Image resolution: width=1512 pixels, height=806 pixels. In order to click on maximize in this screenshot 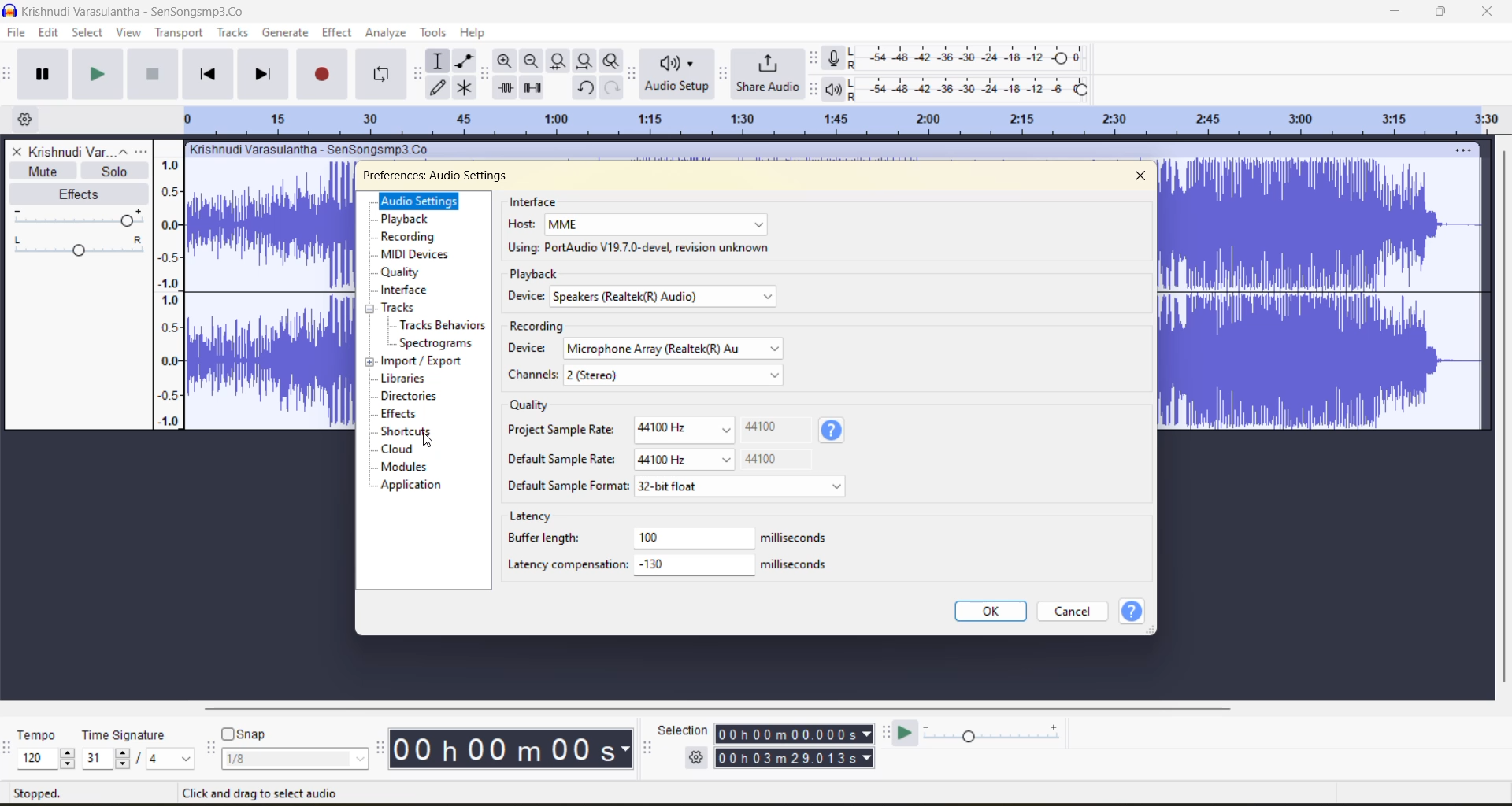, I will do `click(1444, 12)`.